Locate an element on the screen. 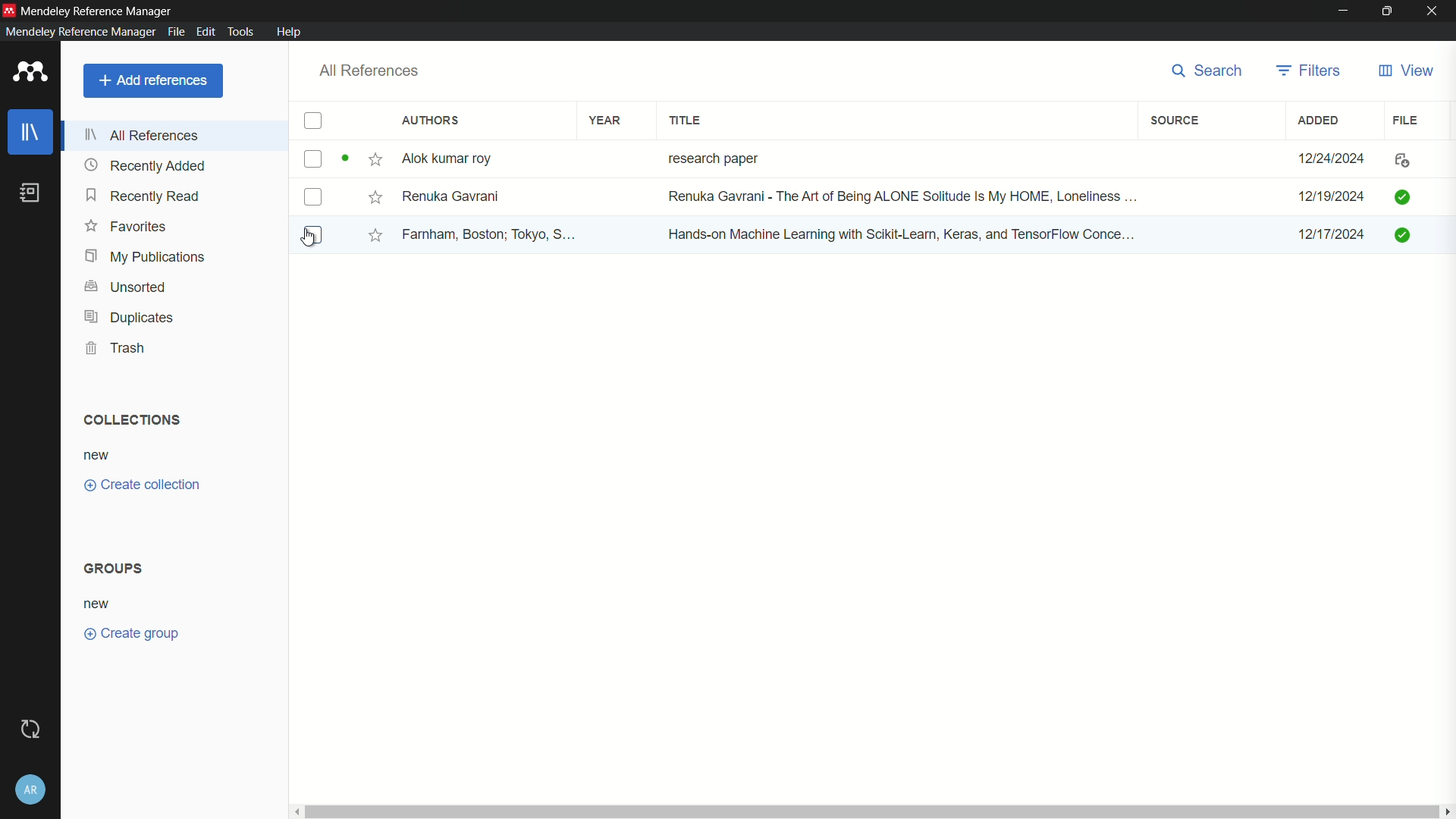  12/19/2024 is located at coordinates (1330, 198).